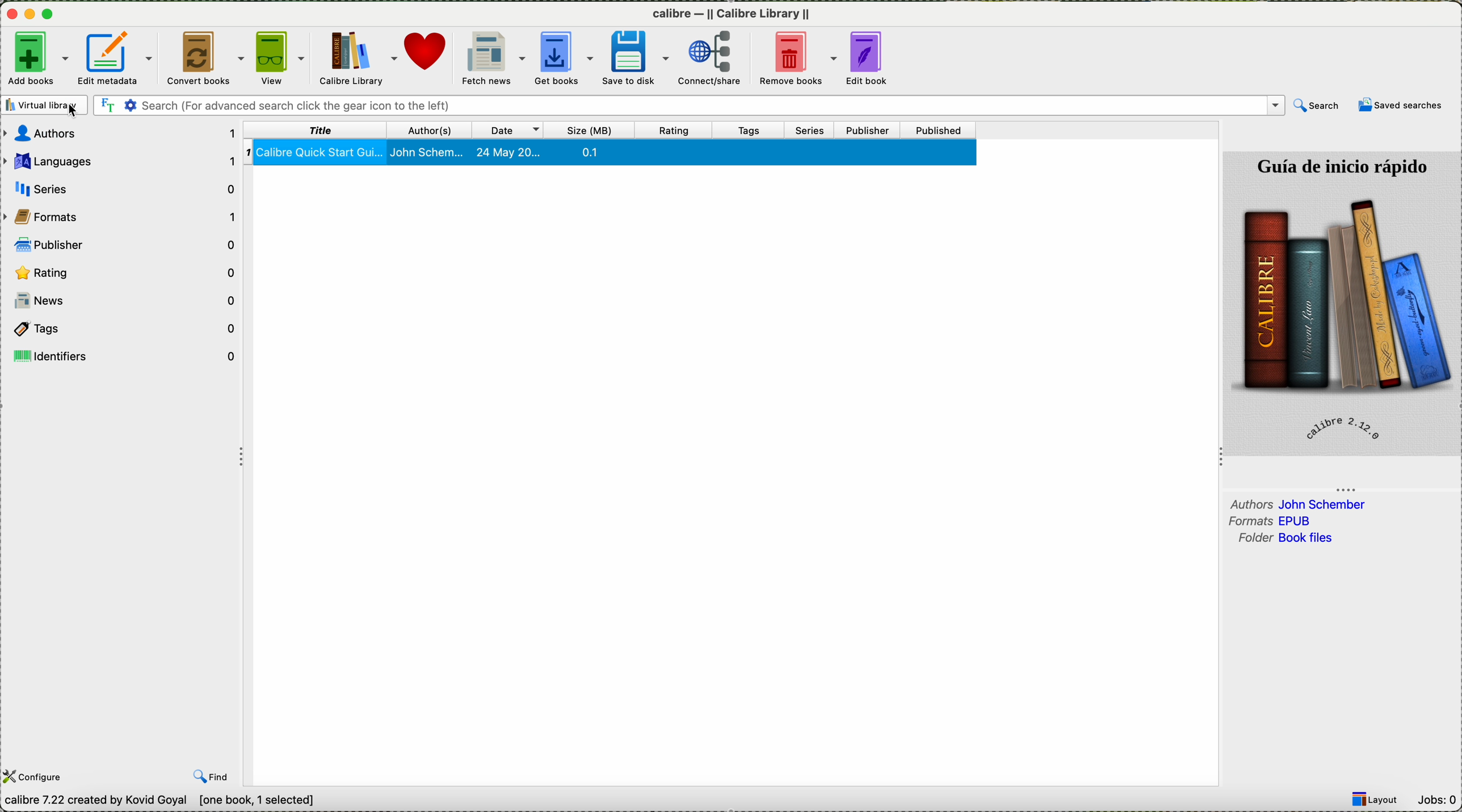 The width and height of the screenshot is (1462, 812). I want to click on size, so click(591, 129).